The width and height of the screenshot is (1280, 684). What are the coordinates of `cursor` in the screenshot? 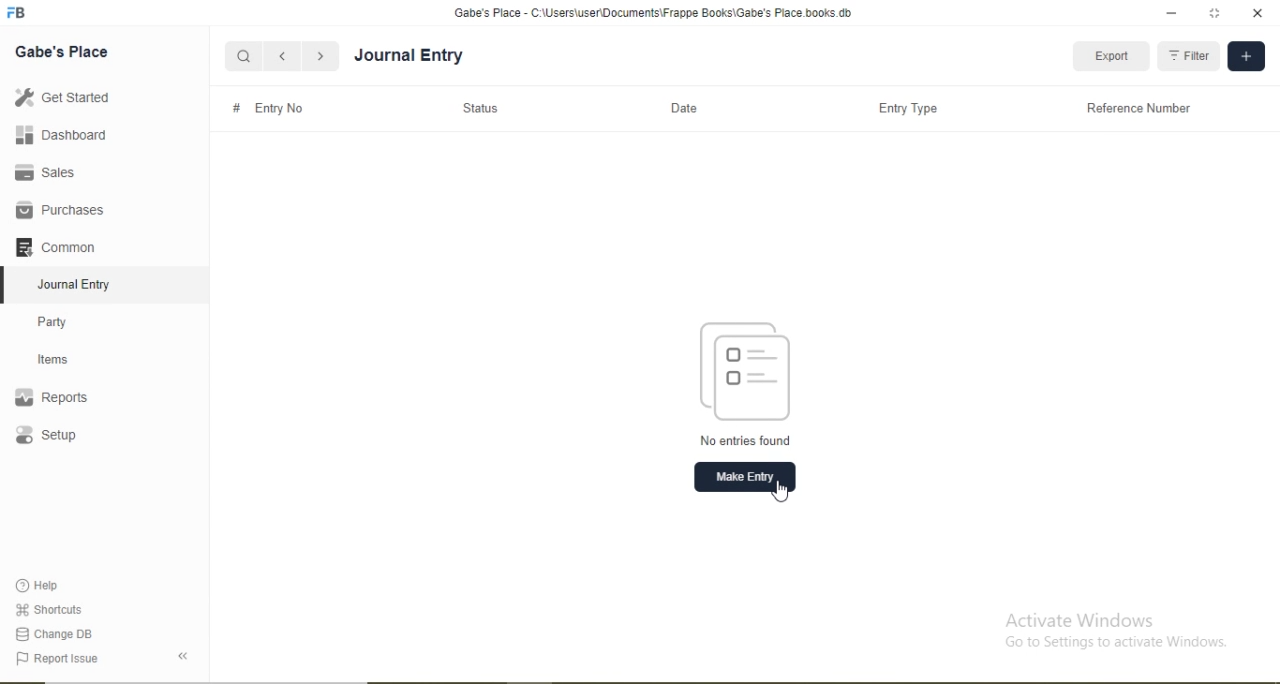 It's located at (780, 491).